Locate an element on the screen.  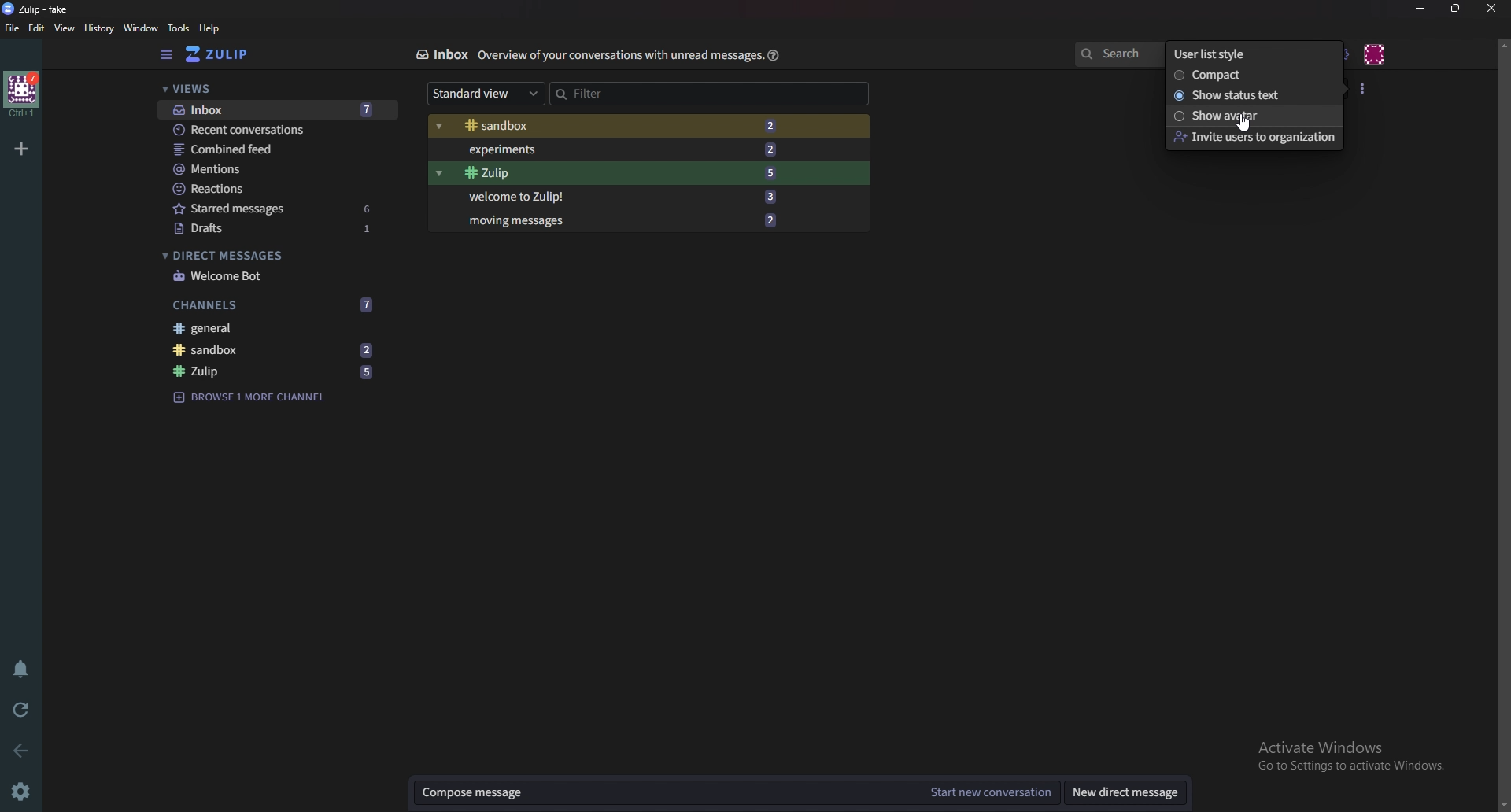
back is located at coordinates (22, 749).